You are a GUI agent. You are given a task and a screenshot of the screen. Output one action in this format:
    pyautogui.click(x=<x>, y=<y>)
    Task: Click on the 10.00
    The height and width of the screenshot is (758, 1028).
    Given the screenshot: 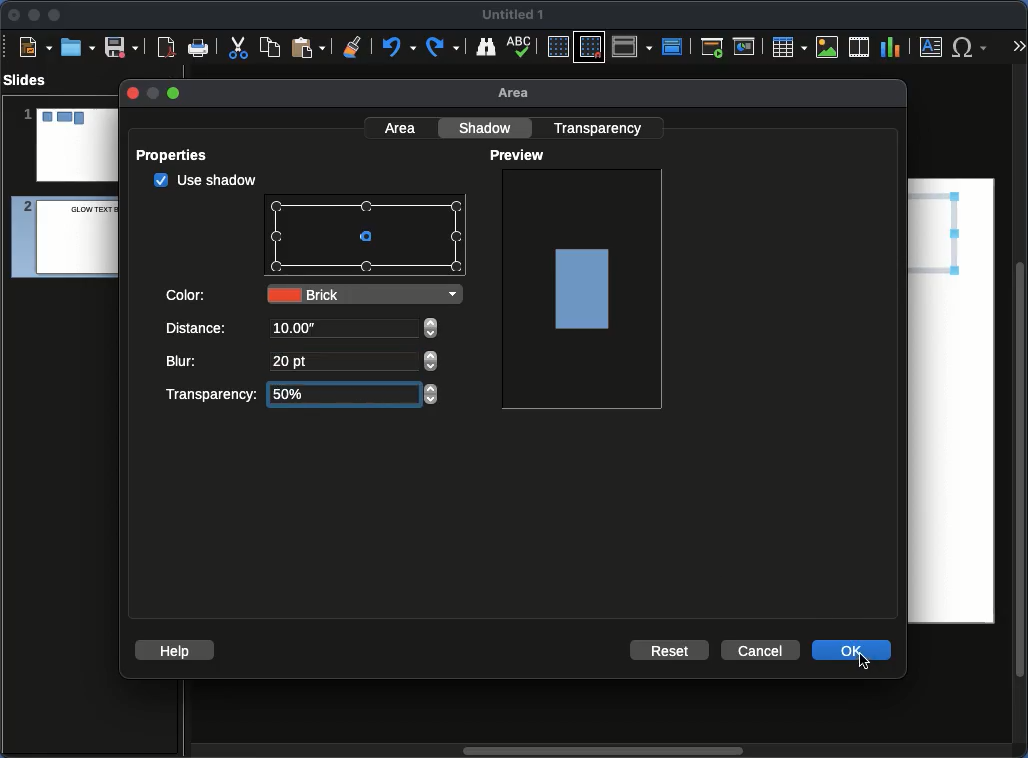 What is the action you would take?
    pyautogui.click(x=295, y=329)
    